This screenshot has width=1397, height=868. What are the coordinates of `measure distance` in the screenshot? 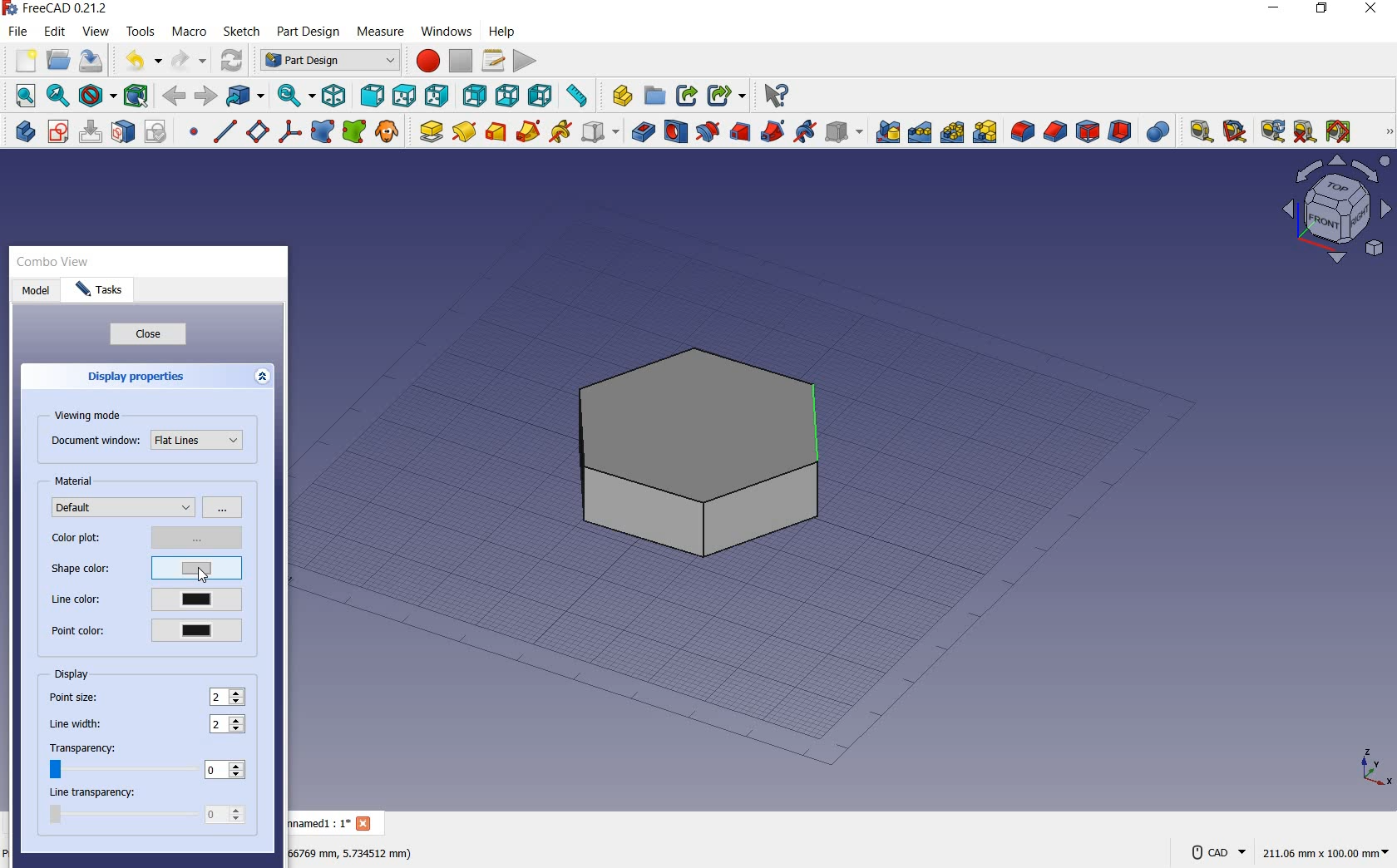 It's located at (580, 96).